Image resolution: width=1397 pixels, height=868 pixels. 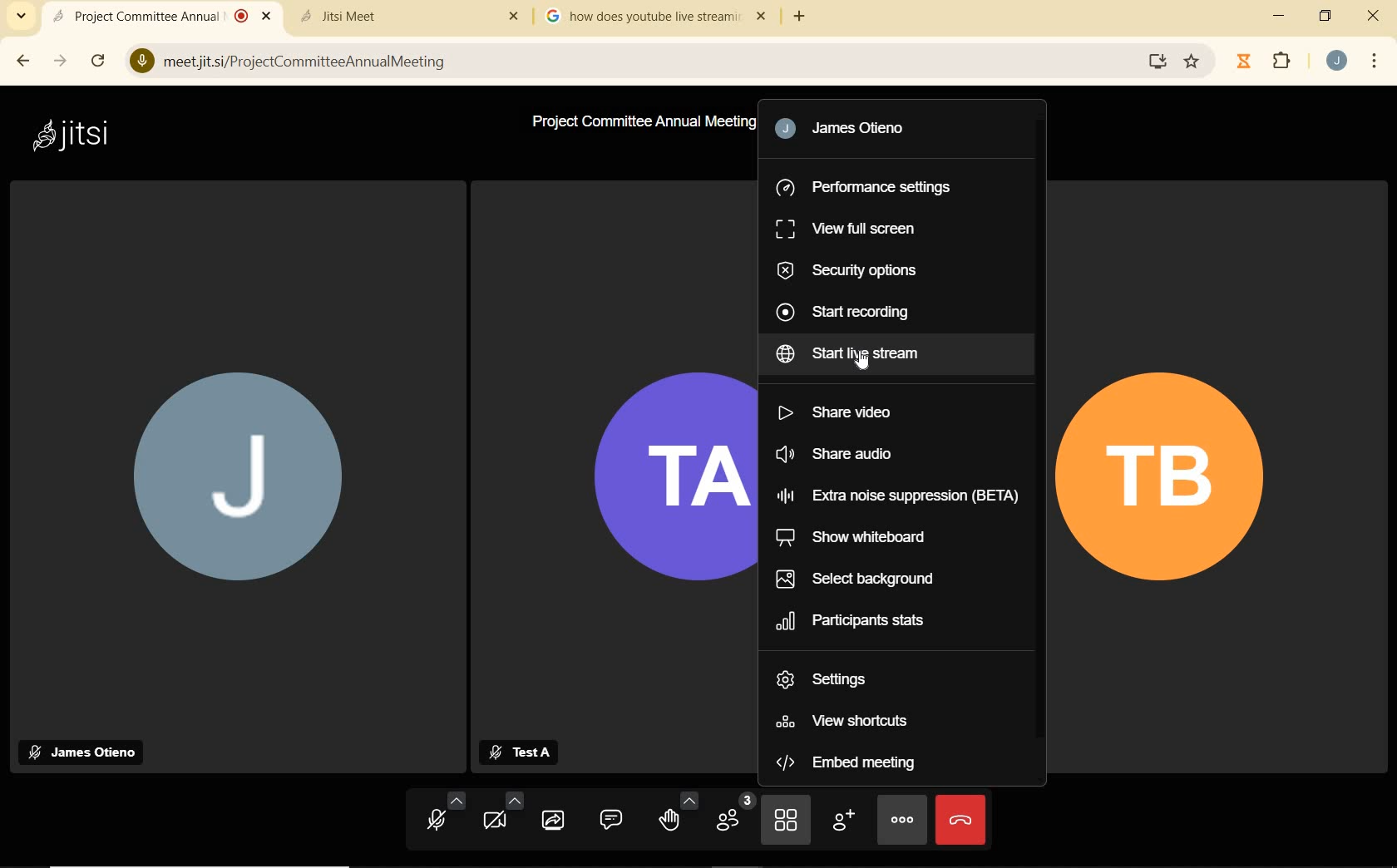 I want to click on forward, so click(x=60, y=60).